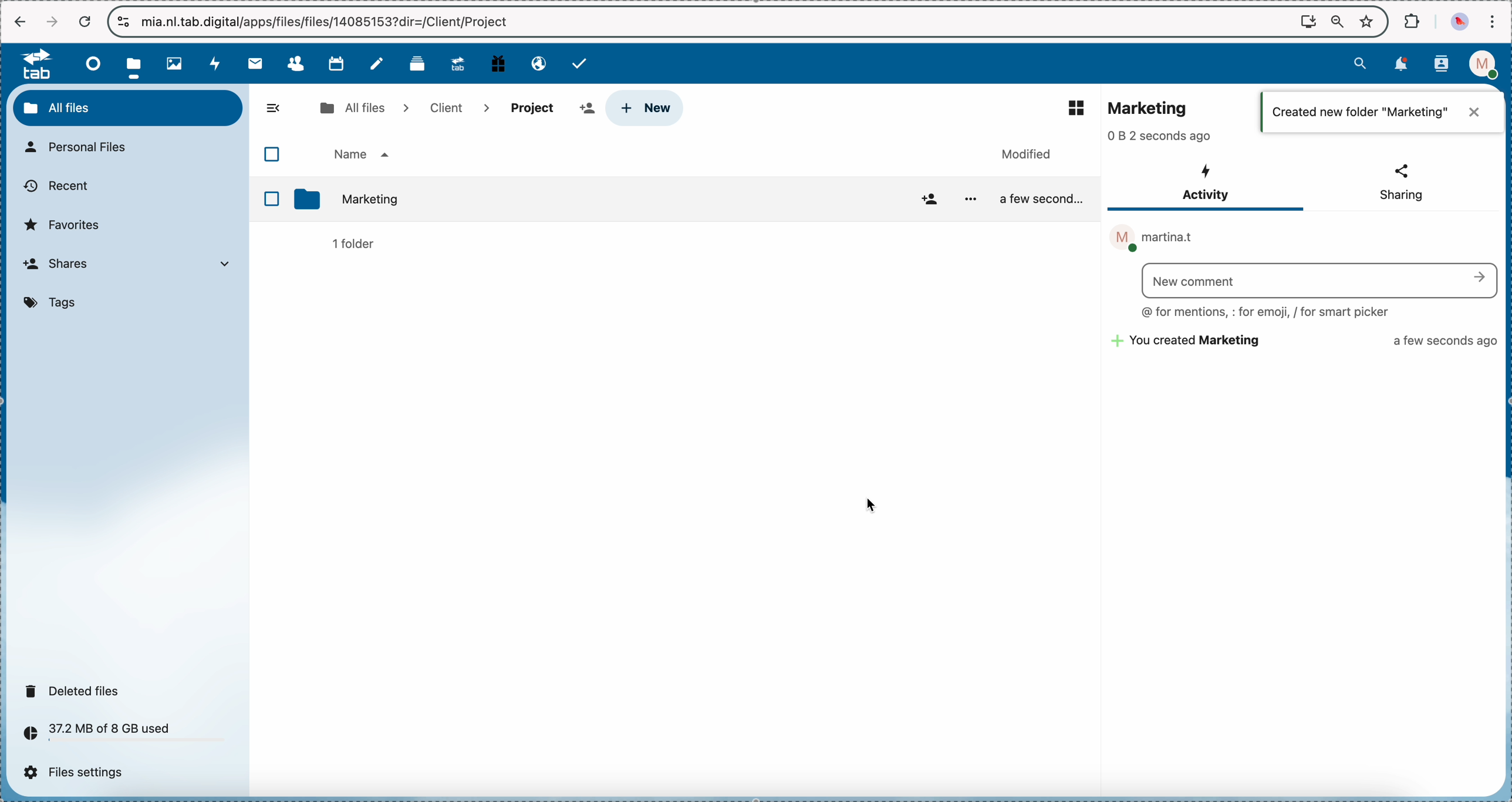 The height and width of the screenshot is (802, 1512). What do you see at coordinates (1360, 62) in the screenshot?
I see `search` at bounding box center [1360, 62].